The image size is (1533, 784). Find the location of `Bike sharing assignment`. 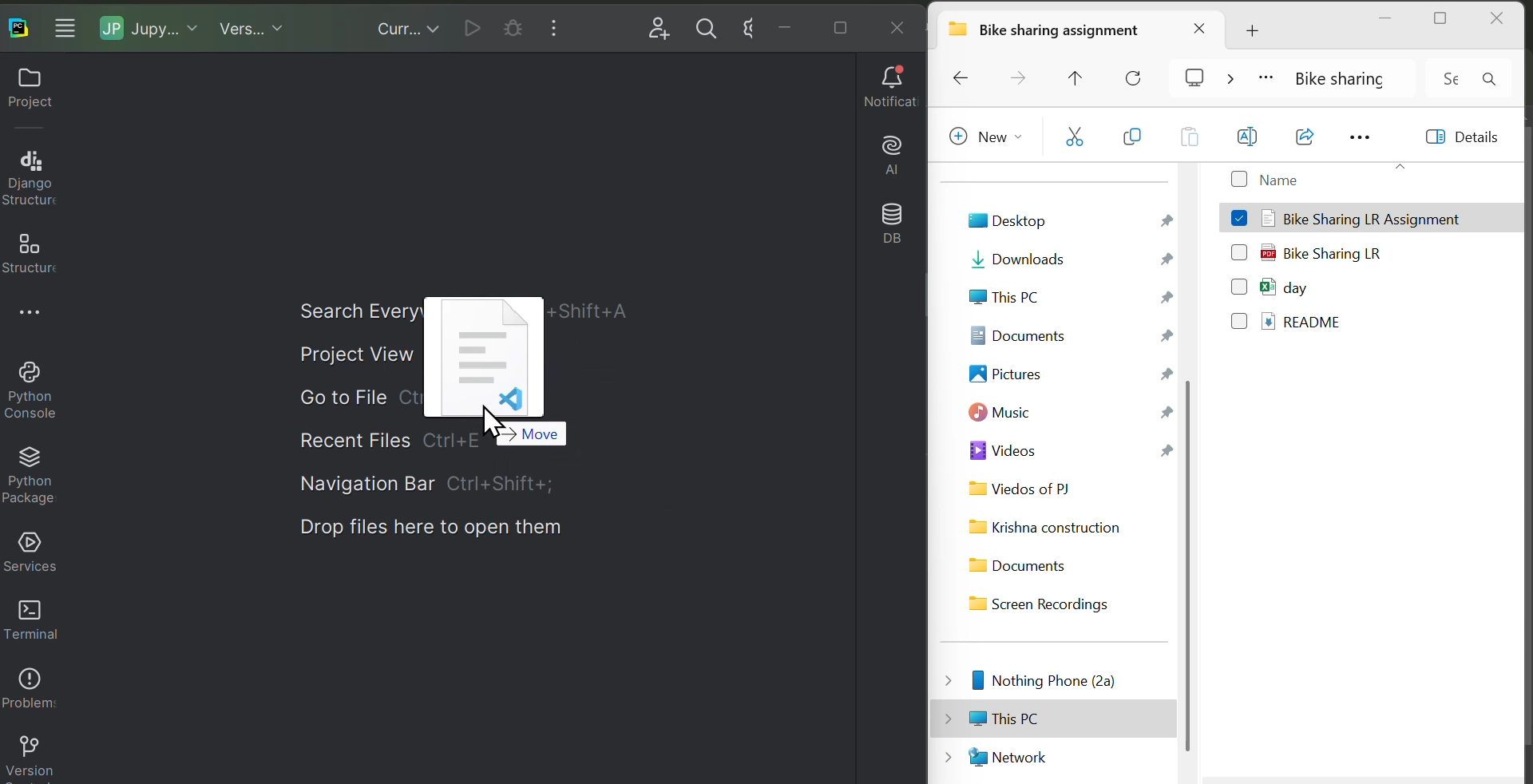

Bike sharing assignment is located at coordinates (1075, 30).